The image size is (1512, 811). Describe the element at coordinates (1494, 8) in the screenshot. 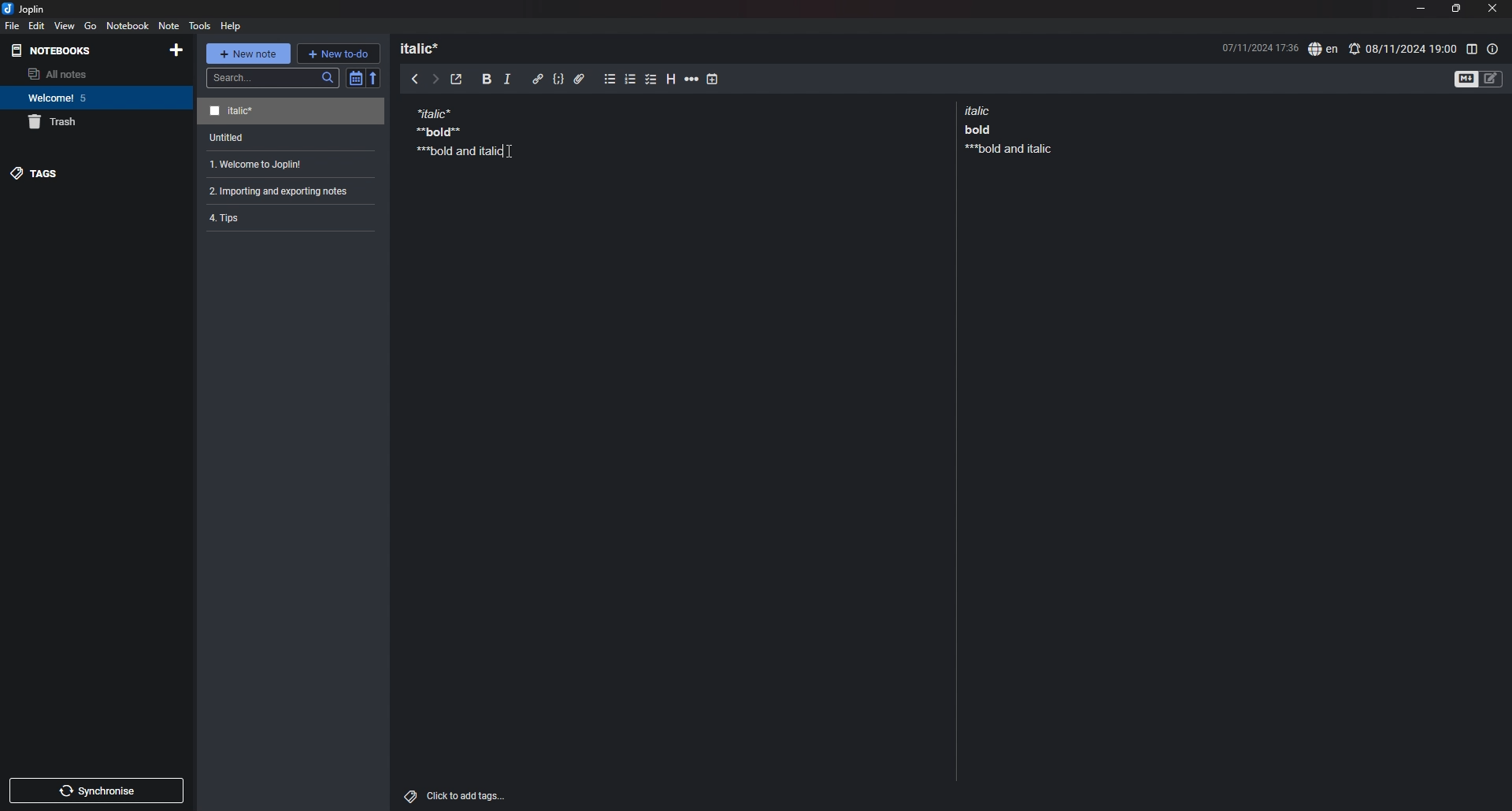

I see `close` at that location.